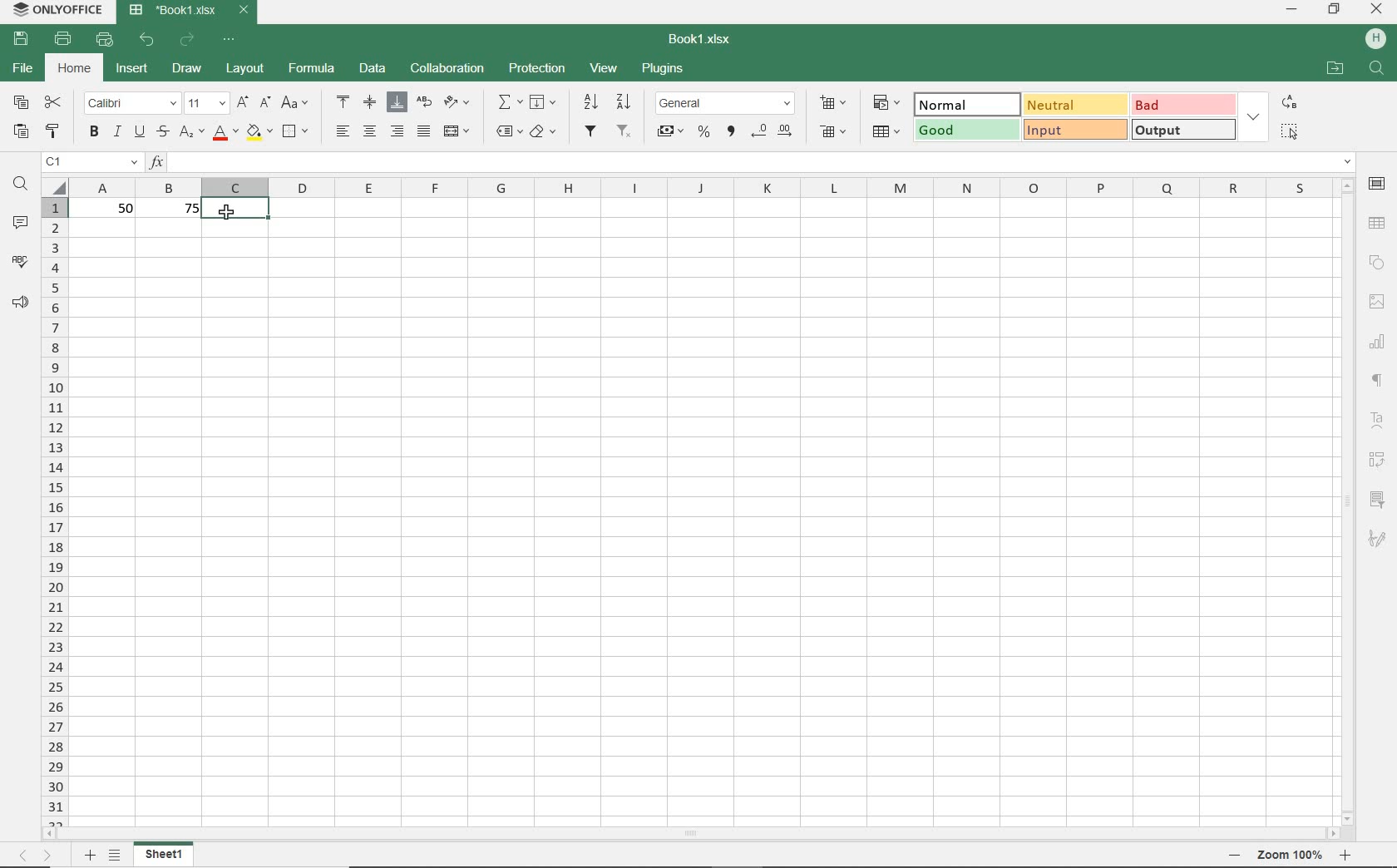 The height and width of the screenshot is (868, 1397). I want to click on Input function, so click(751, 161).